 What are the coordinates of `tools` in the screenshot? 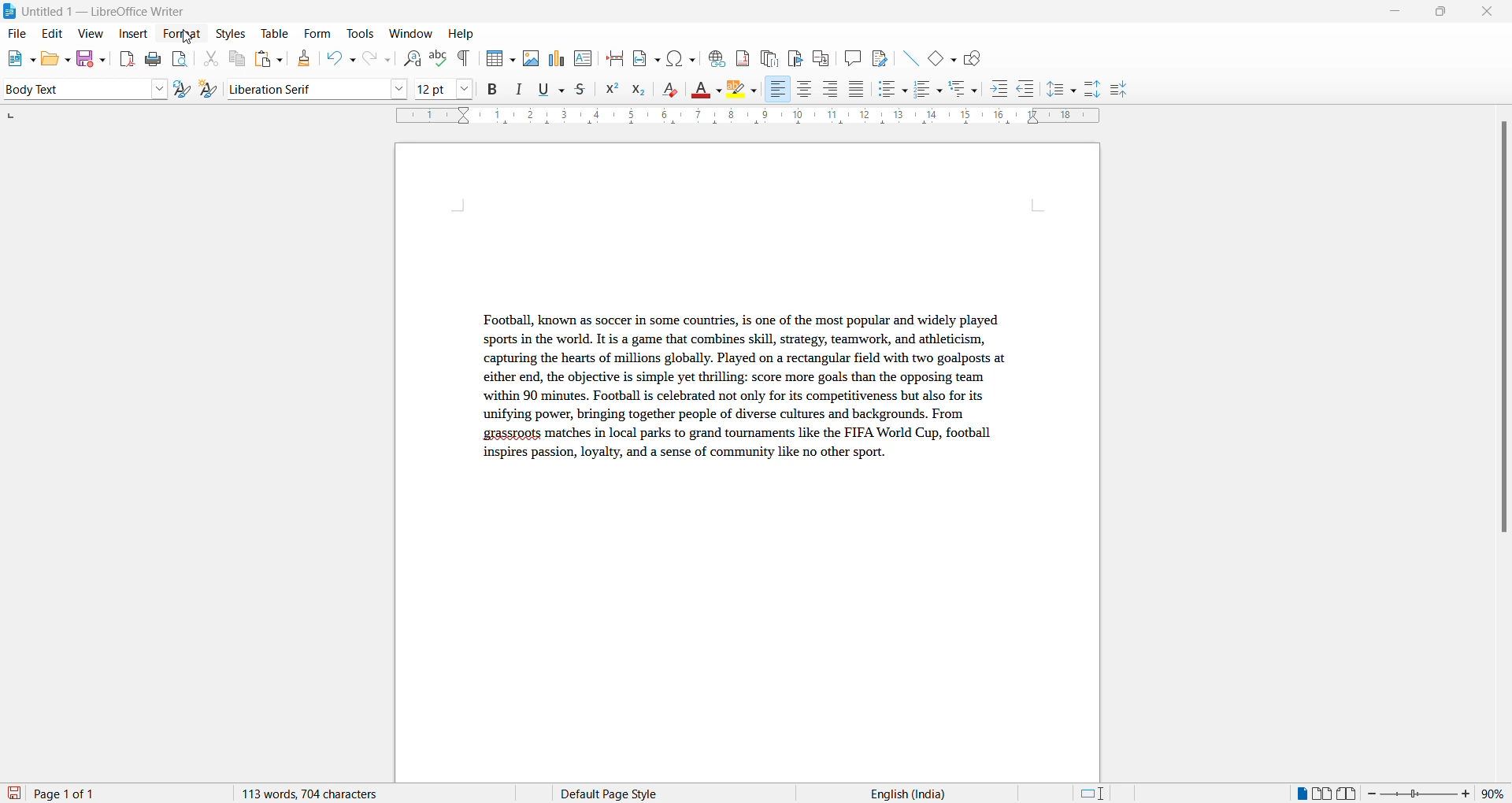 It's located at (360, 34).